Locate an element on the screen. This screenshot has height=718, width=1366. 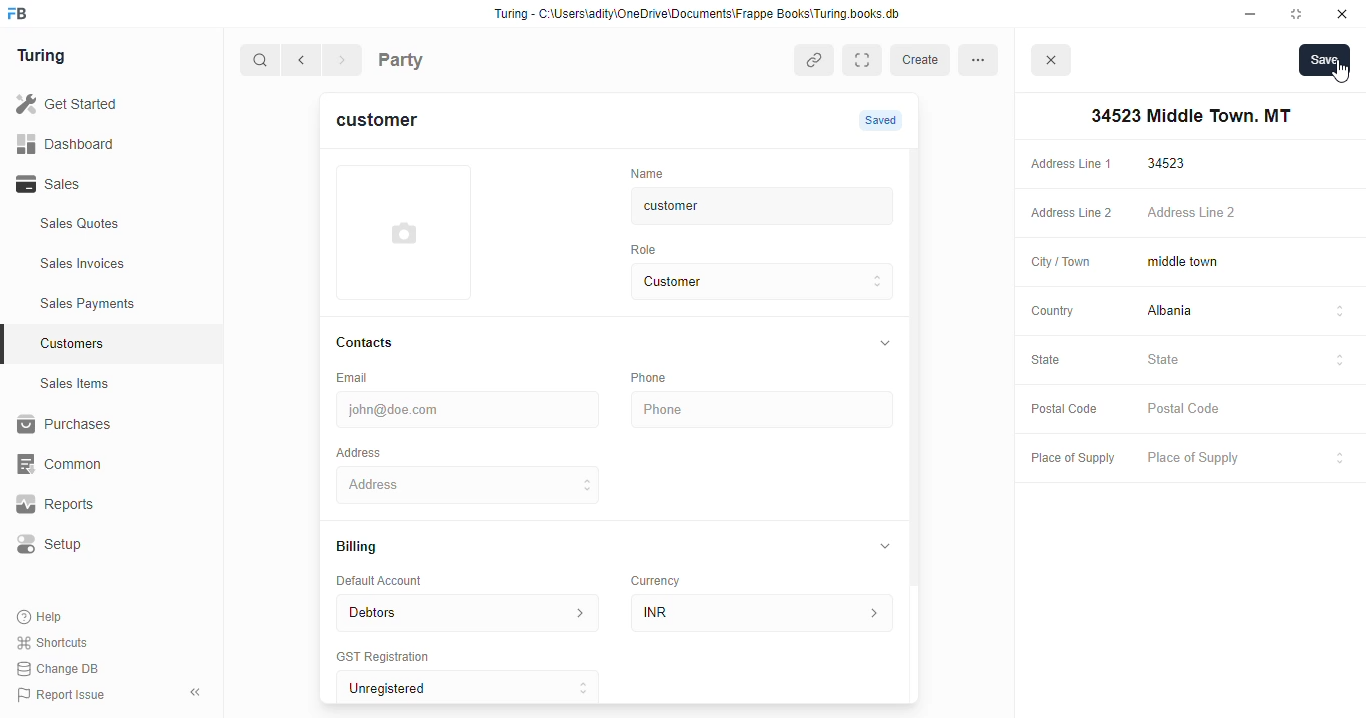
Customers is located at coordinates (123, 341).